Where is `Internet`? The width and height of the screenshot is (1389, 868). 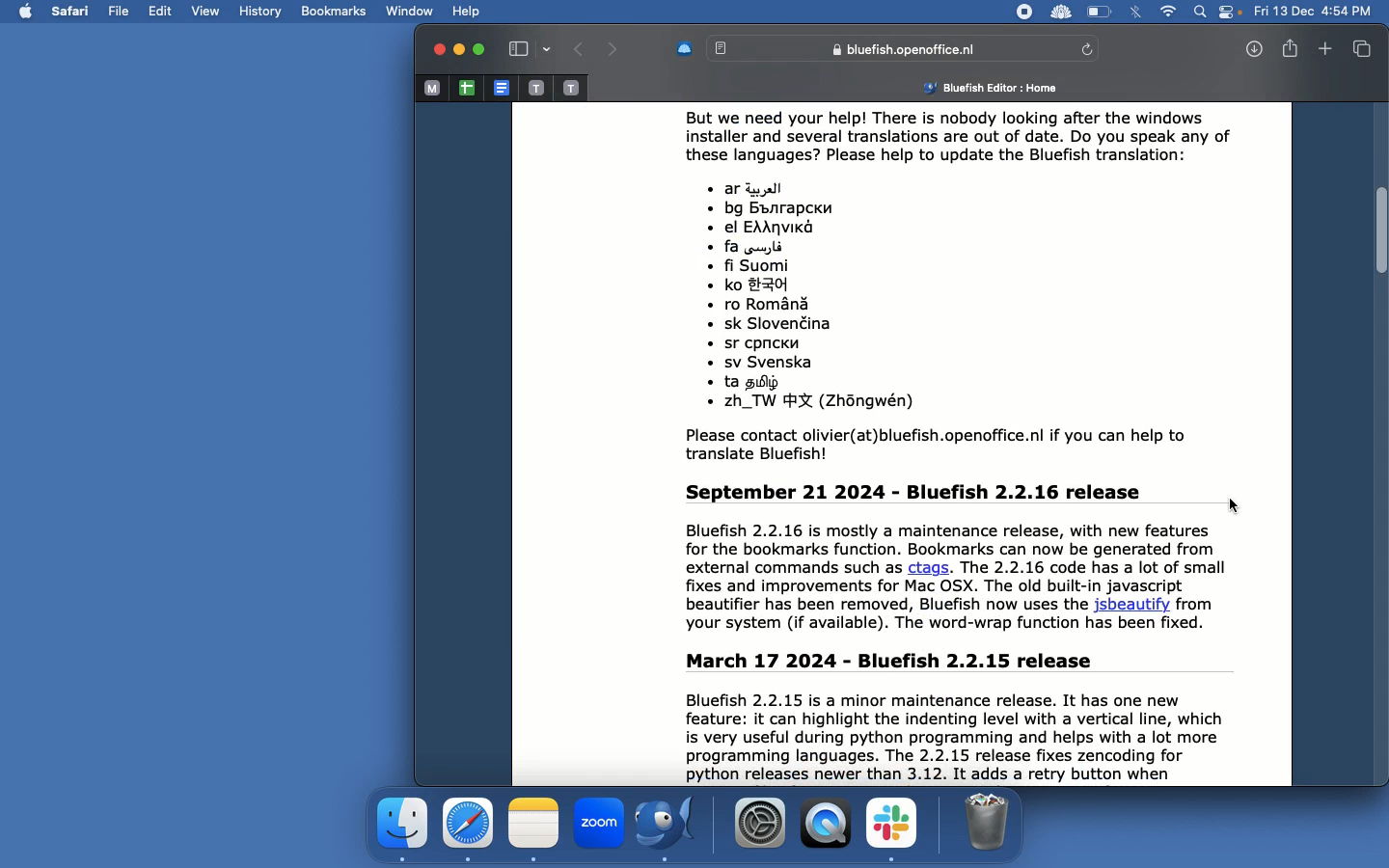
Internet is located at coordinates (1168, 11).